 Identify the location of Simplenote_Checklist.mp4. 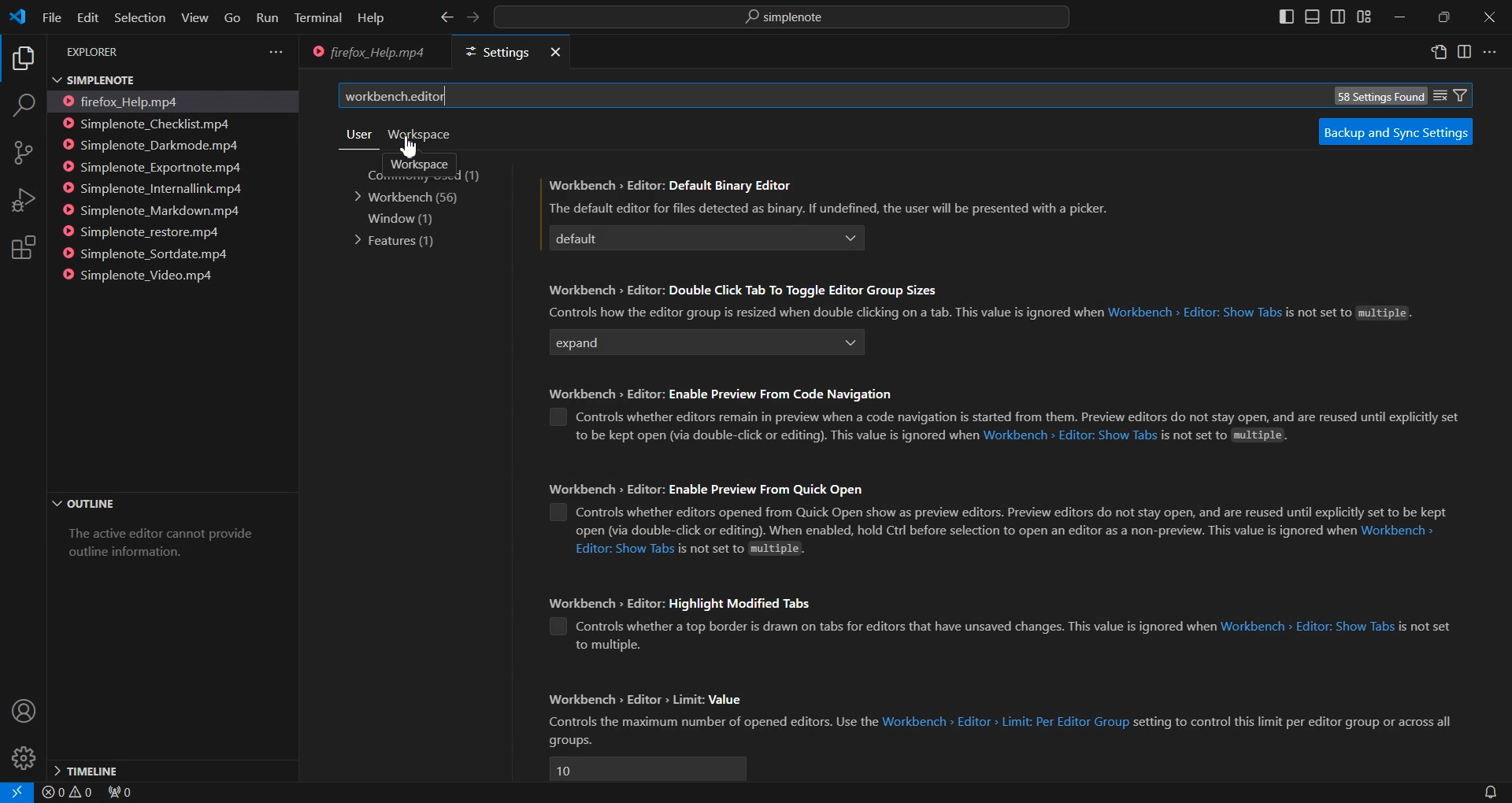
(152, 123).